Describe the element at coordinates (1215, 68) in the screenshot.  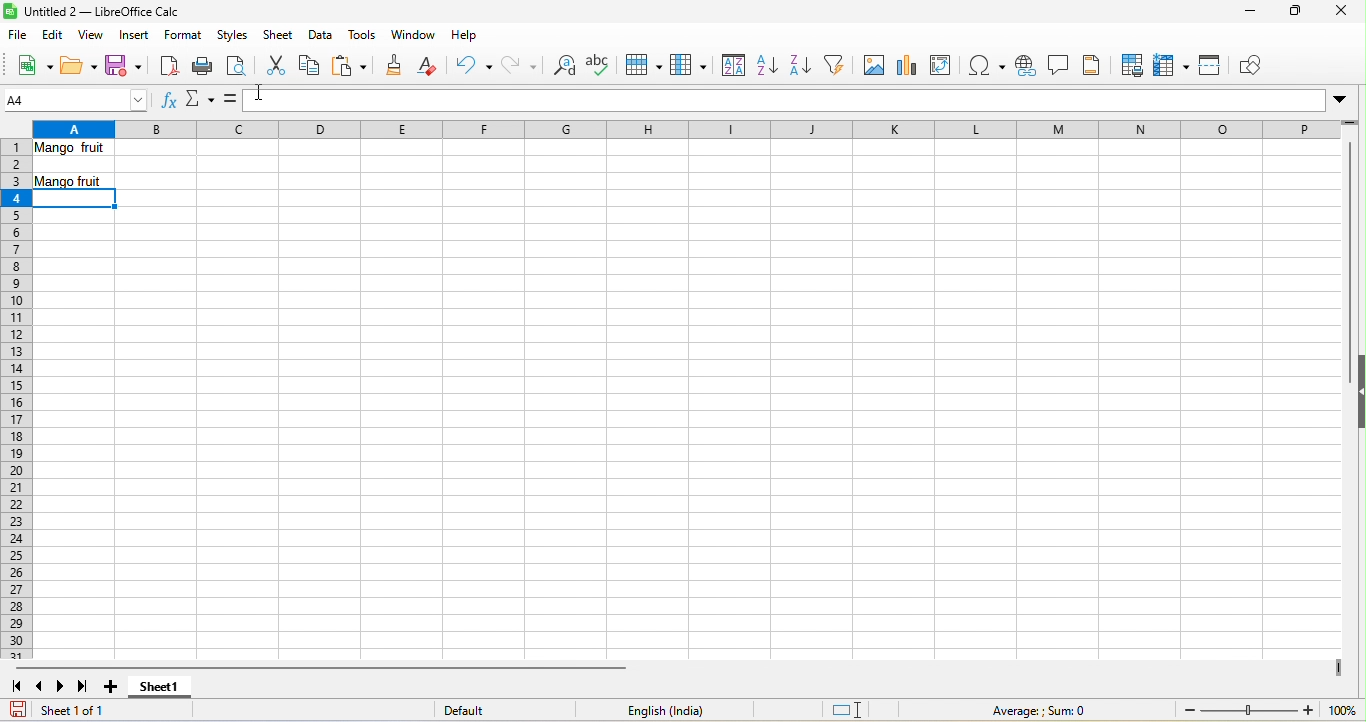
I see `split window` at that location.